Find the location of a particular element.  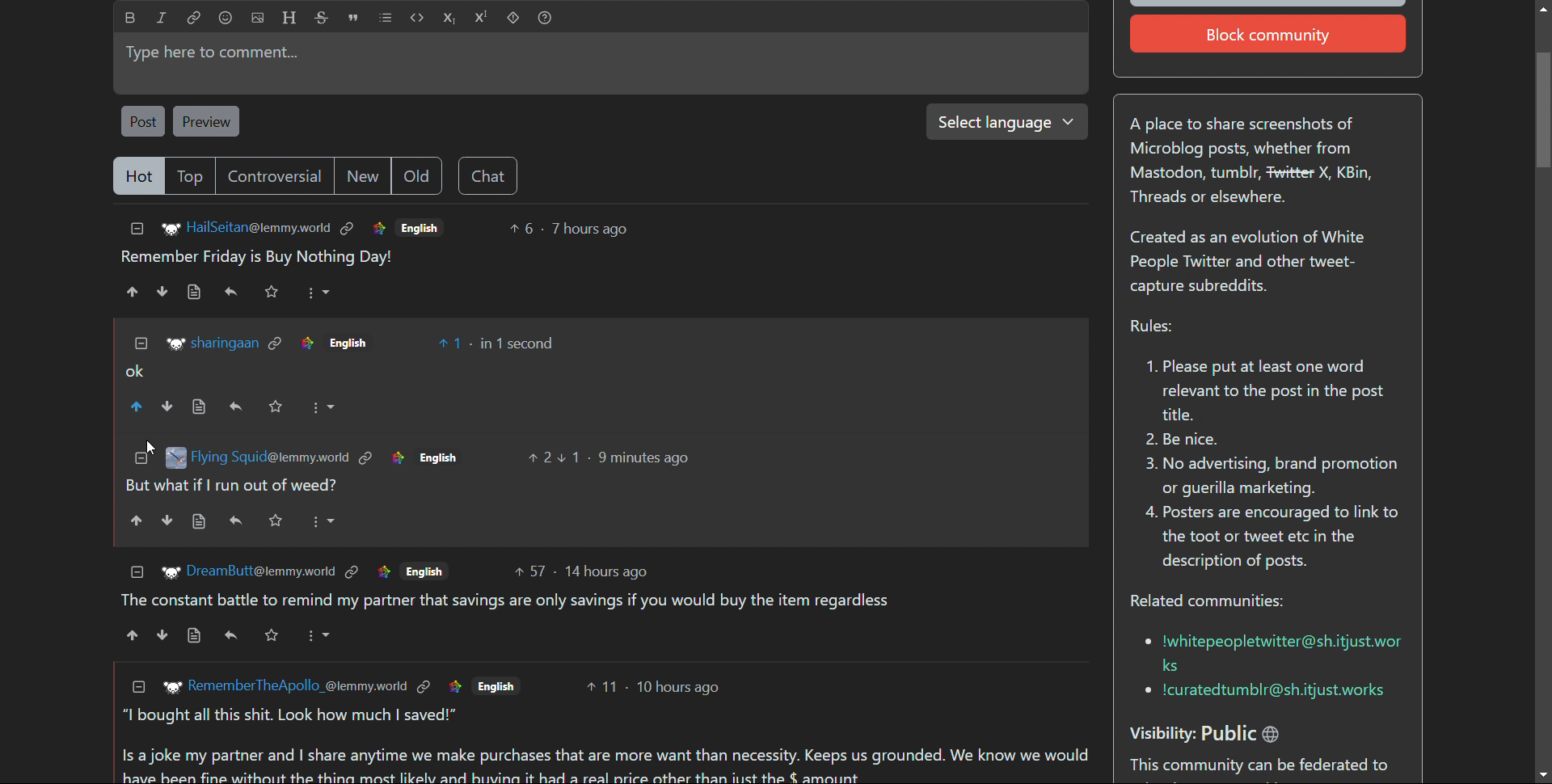

number of upvotes is located at coordinates (523, 229).